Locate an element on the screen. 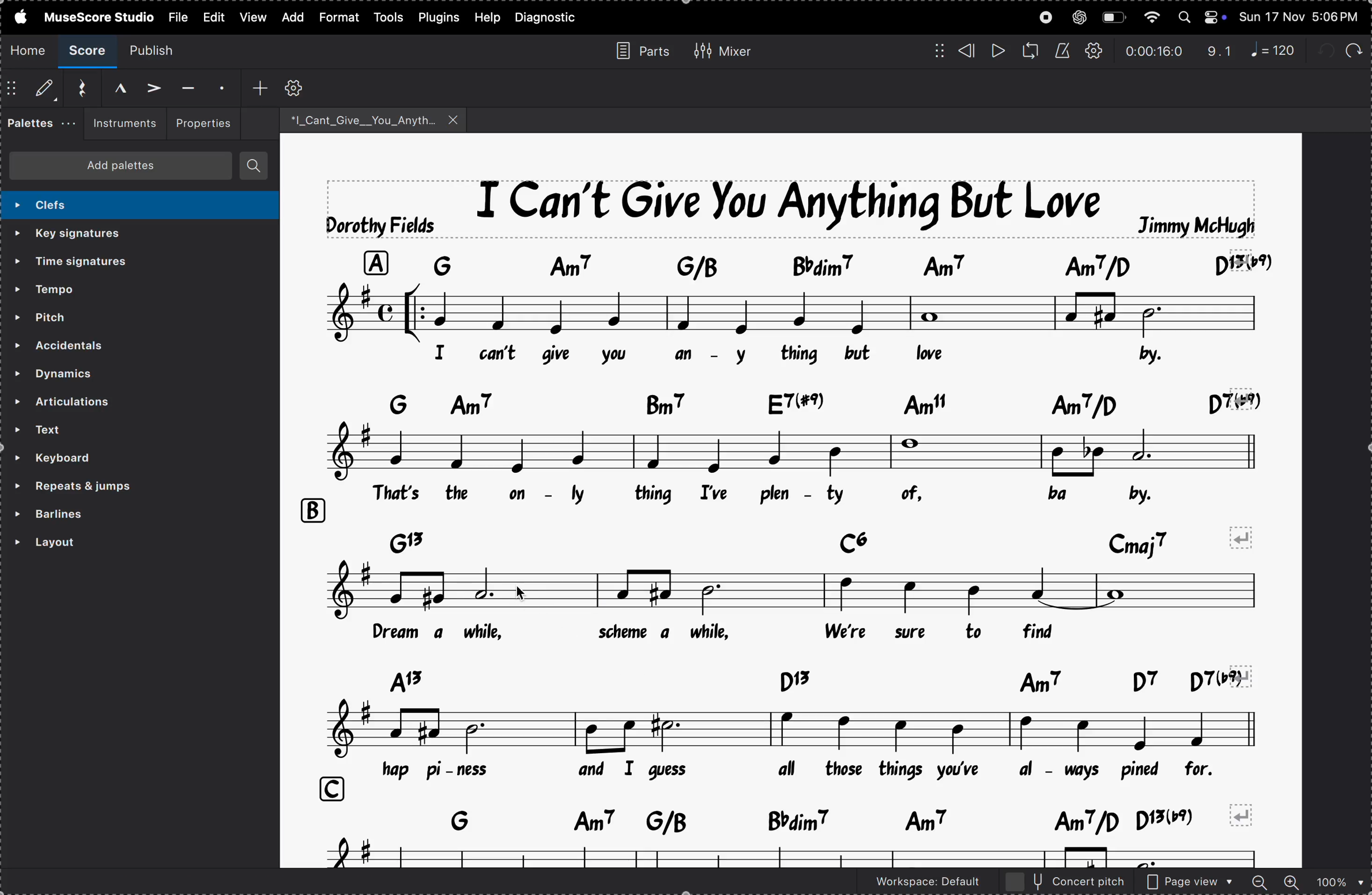 This screenshot has height=895, width=1372. notes is located at coordinates (798, 854).